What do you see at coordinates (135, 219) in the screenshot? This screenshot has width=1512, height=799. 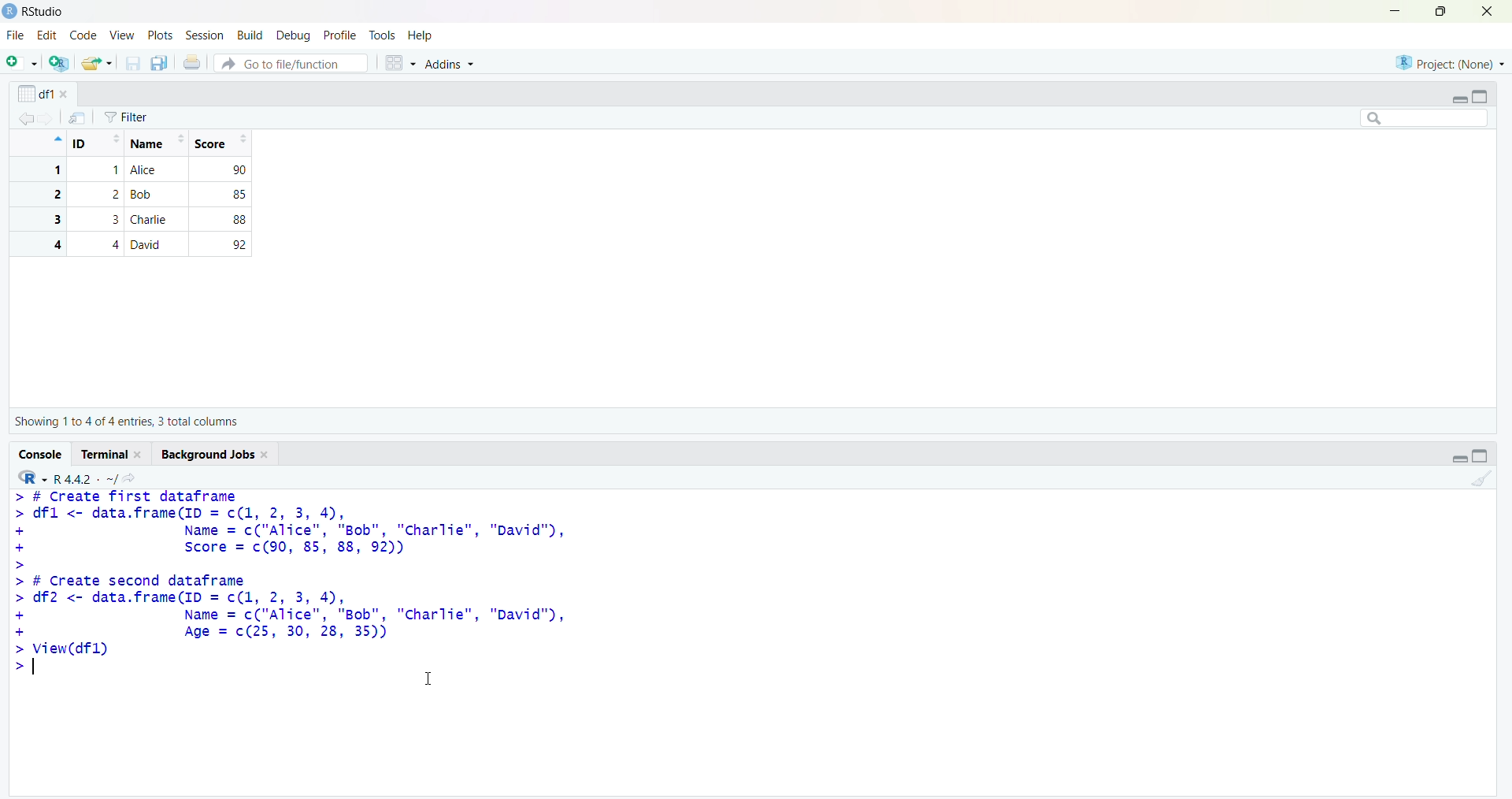 I see `3 3 Charlie 88` at bounding box center [135, 219].